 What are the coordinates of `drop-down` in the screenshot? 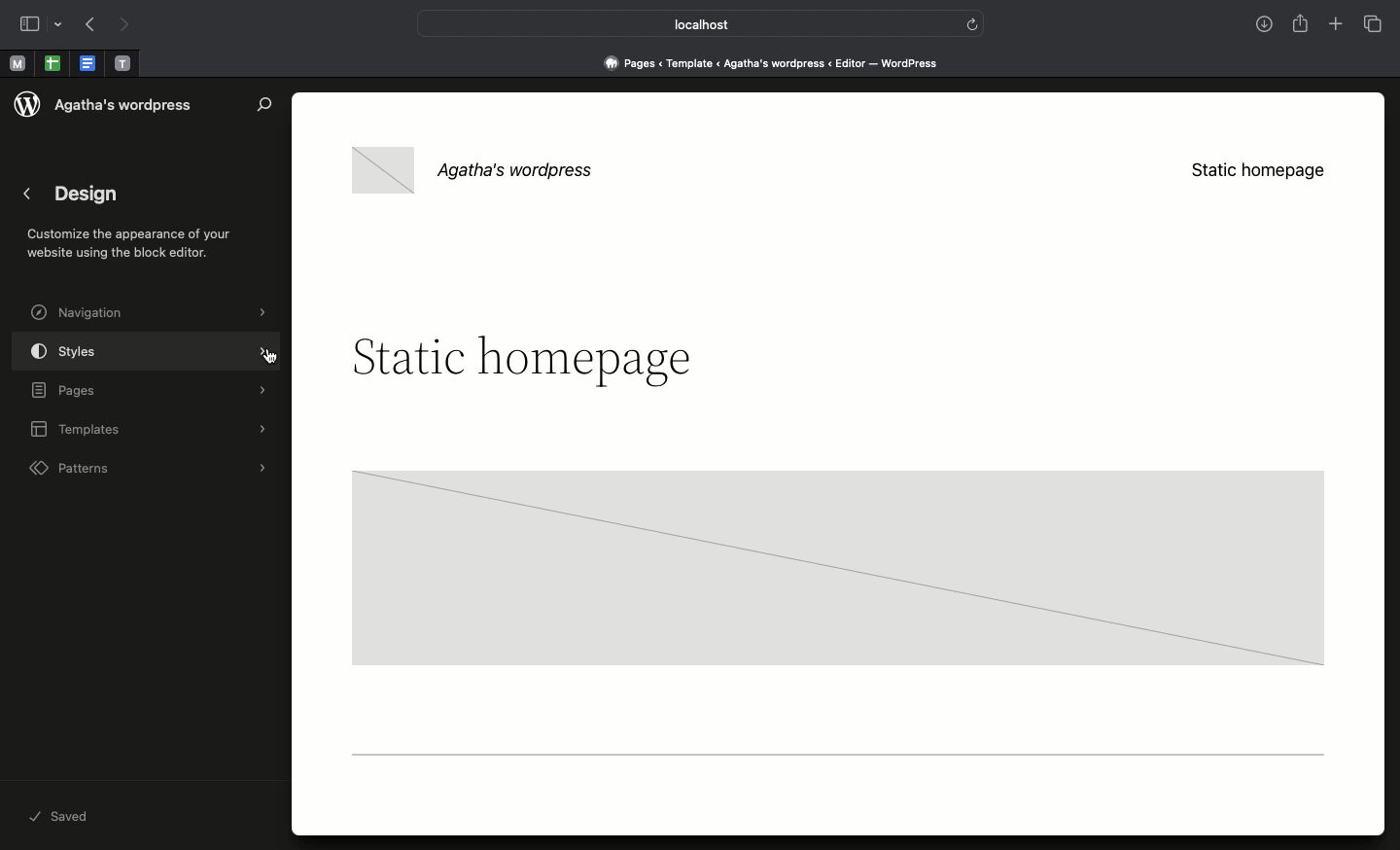 It's located at (61, 25).